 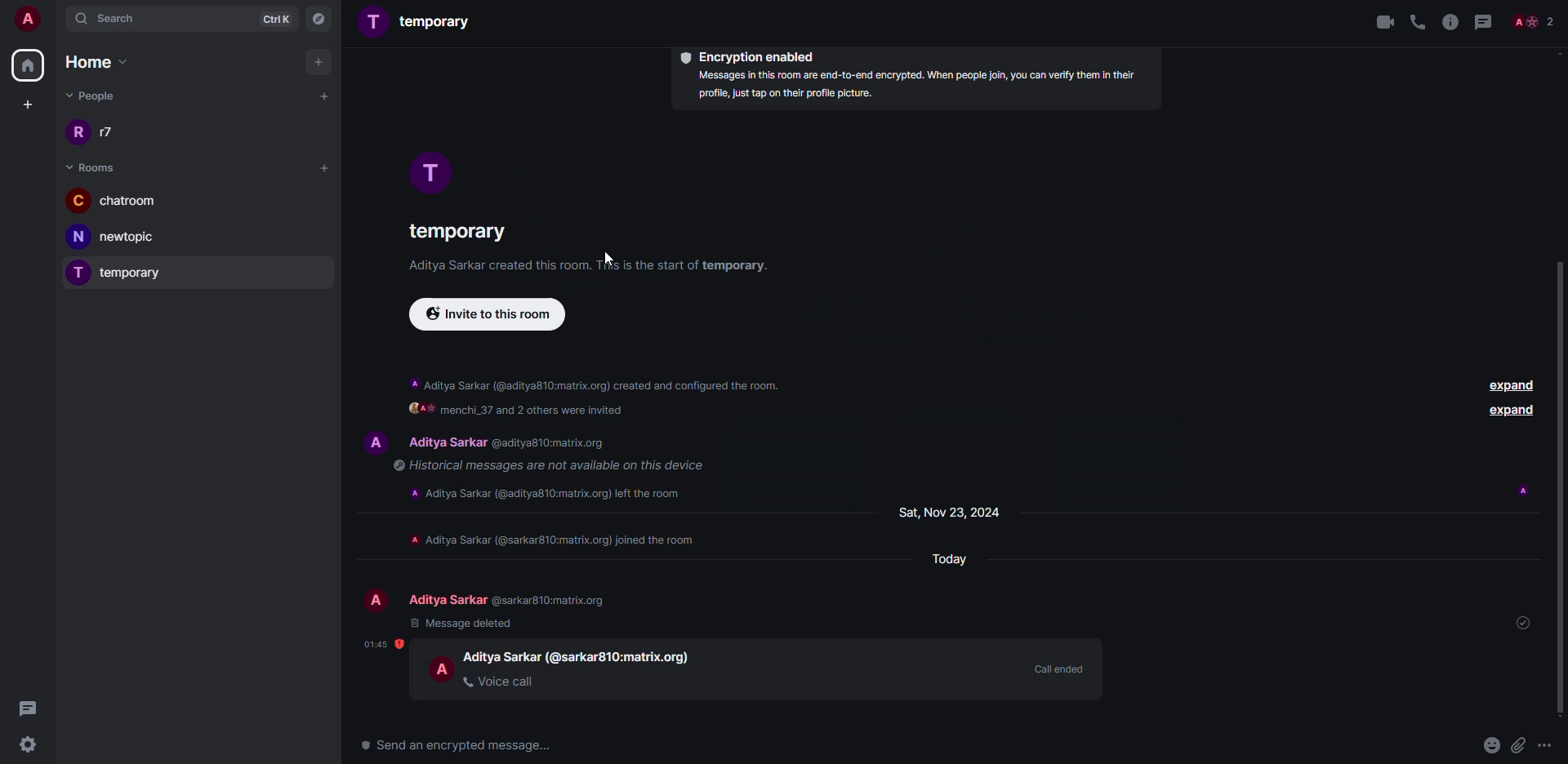 I want to click on cursor, so click(x=610, y=263).